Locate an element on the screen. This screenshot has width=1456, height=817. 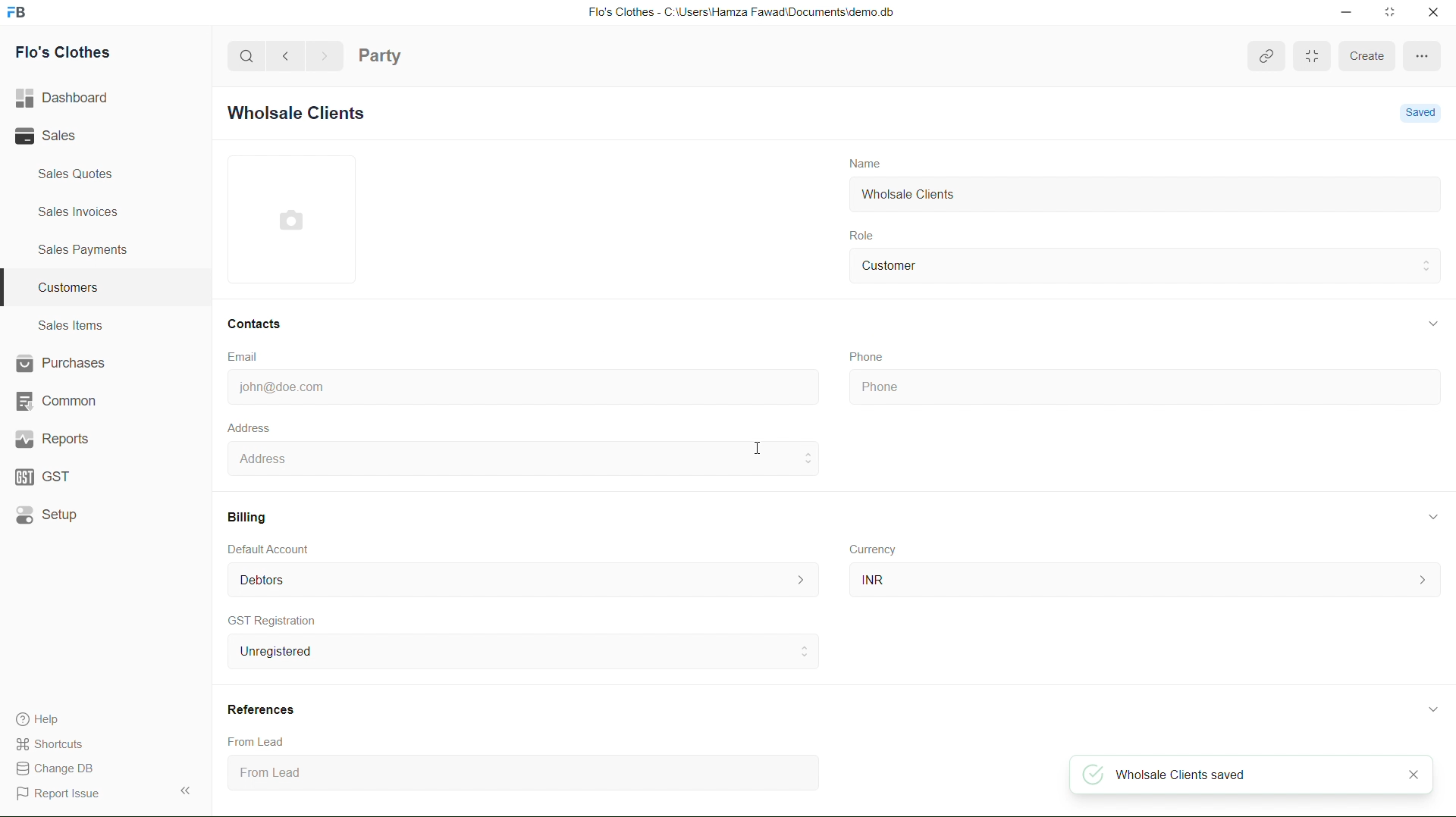
Email is located at coordinates (244, 356).